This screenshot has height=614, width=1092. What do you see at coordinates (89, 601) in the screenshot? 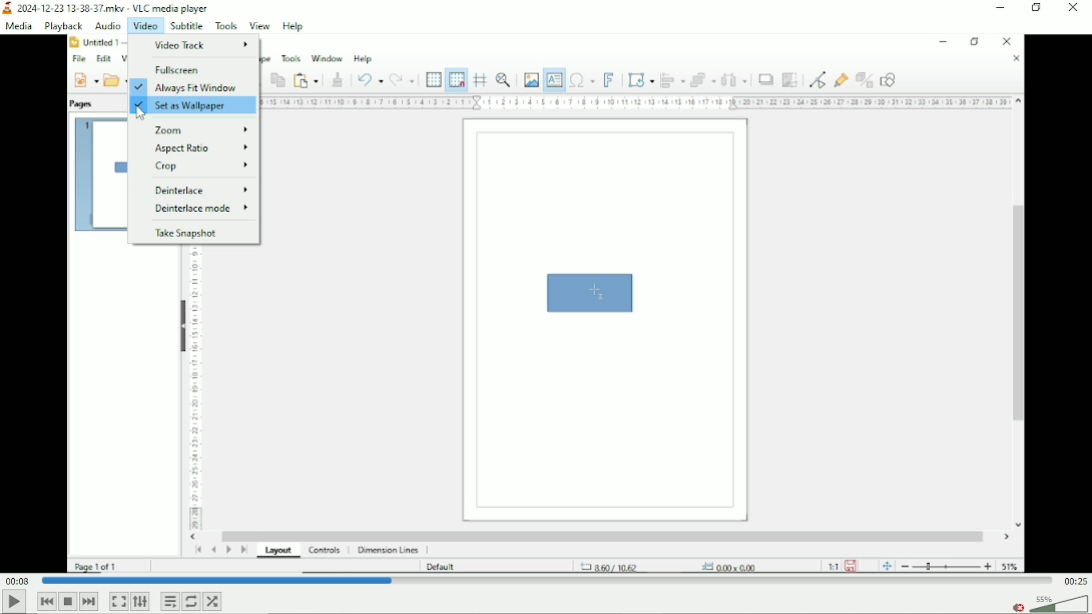
I see `Next` at bounding box center [89, 601].